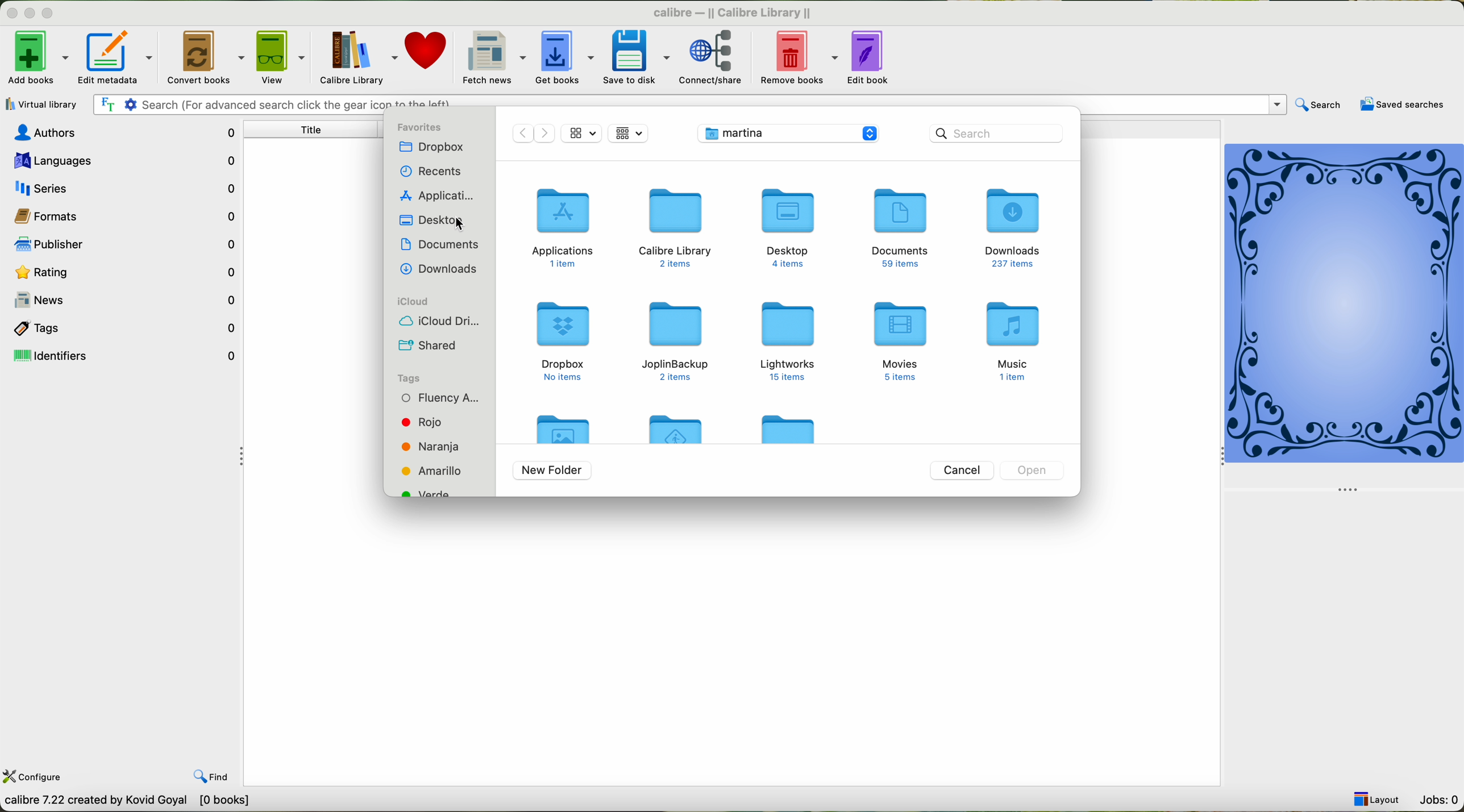 This screenshot has height=812, width=1464. I want to click on folder, so click(675, 426).